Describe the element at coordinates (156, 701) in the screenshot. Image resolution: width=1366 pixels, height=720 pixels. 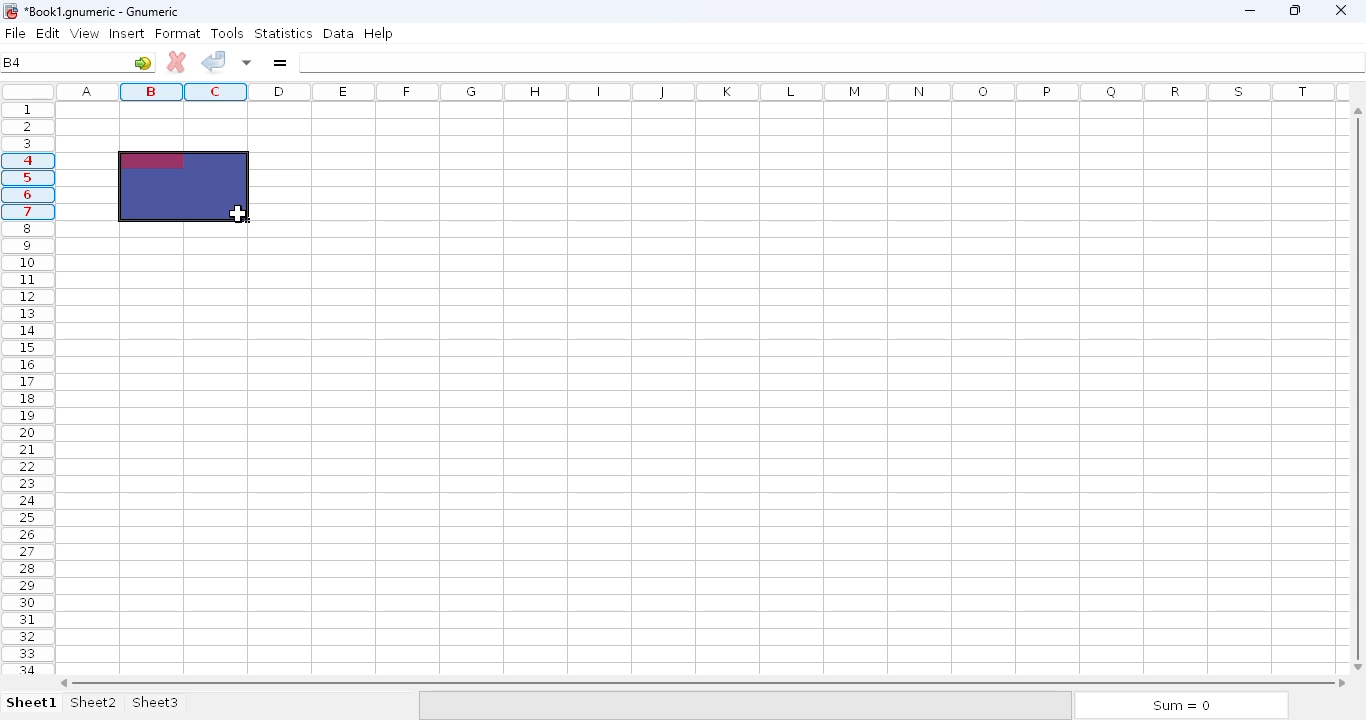
I see `sheet3` at that location.